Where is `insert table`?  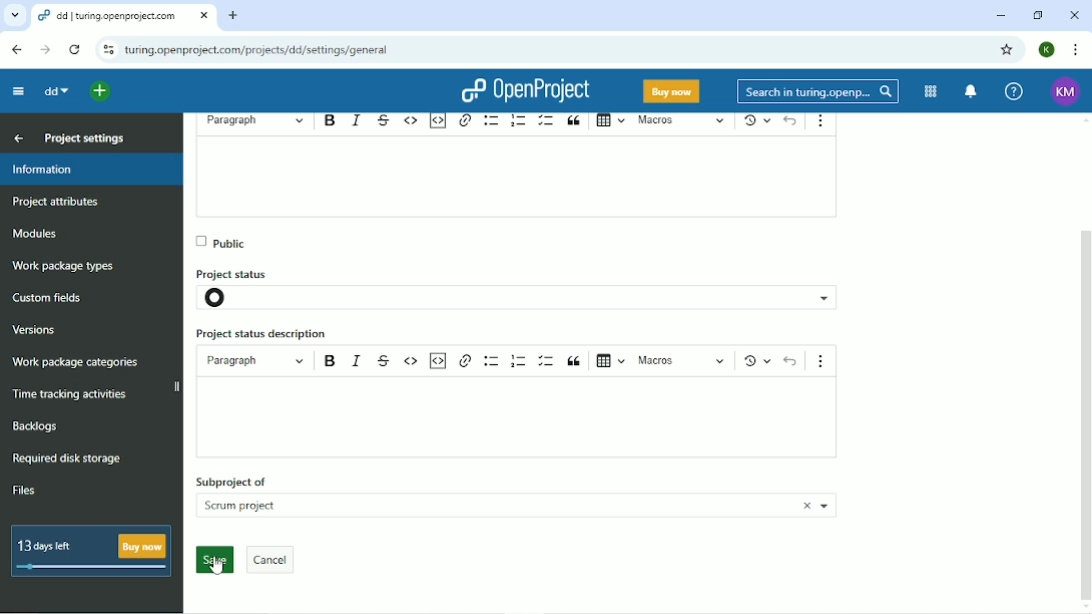
insert table is located at coordinates (609, 359).